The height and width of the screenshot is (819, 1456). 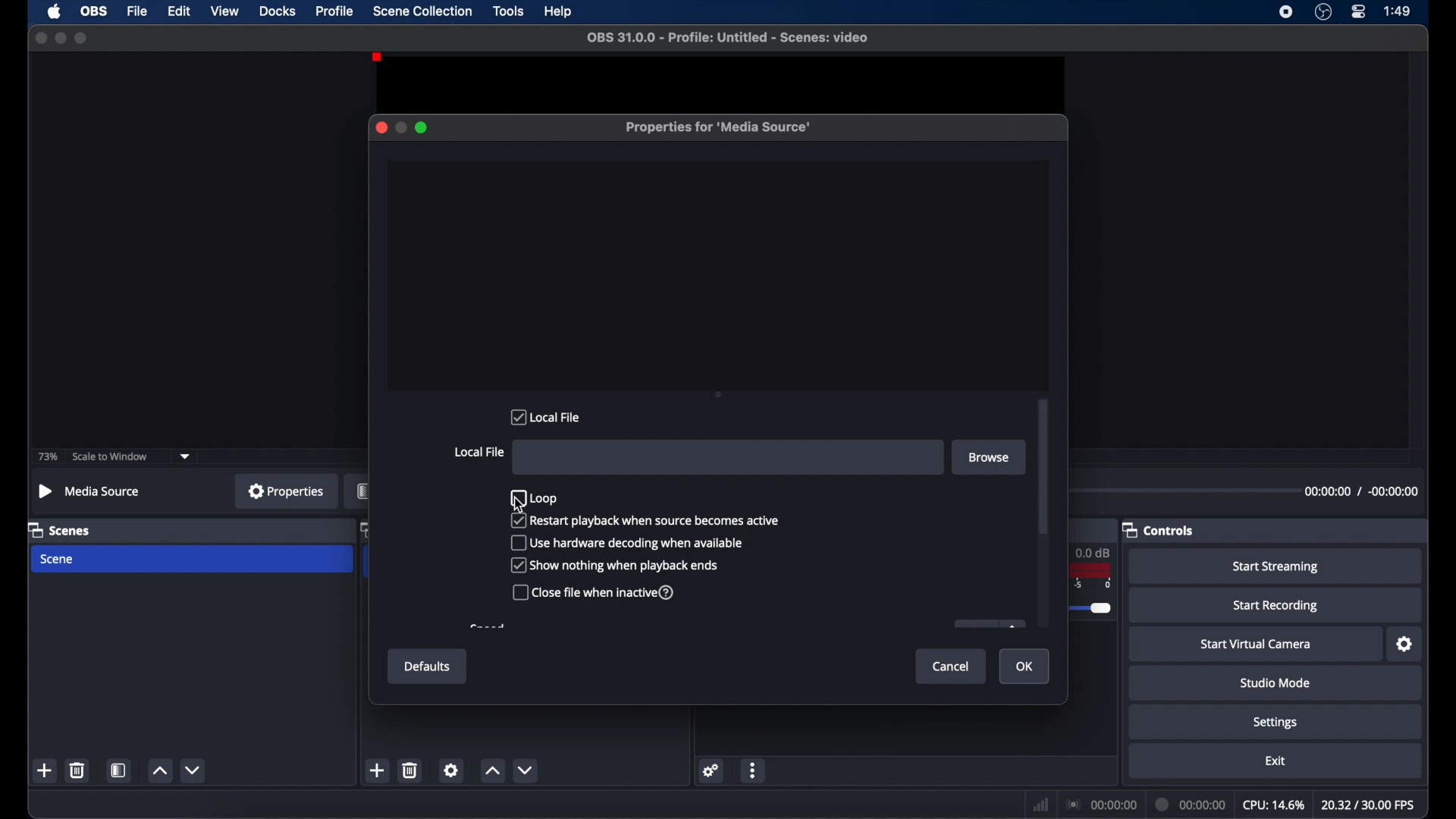 What do you see at coordinates (287, 491) in the screenshot?
I see `properties` at bounding box center [287, 491].